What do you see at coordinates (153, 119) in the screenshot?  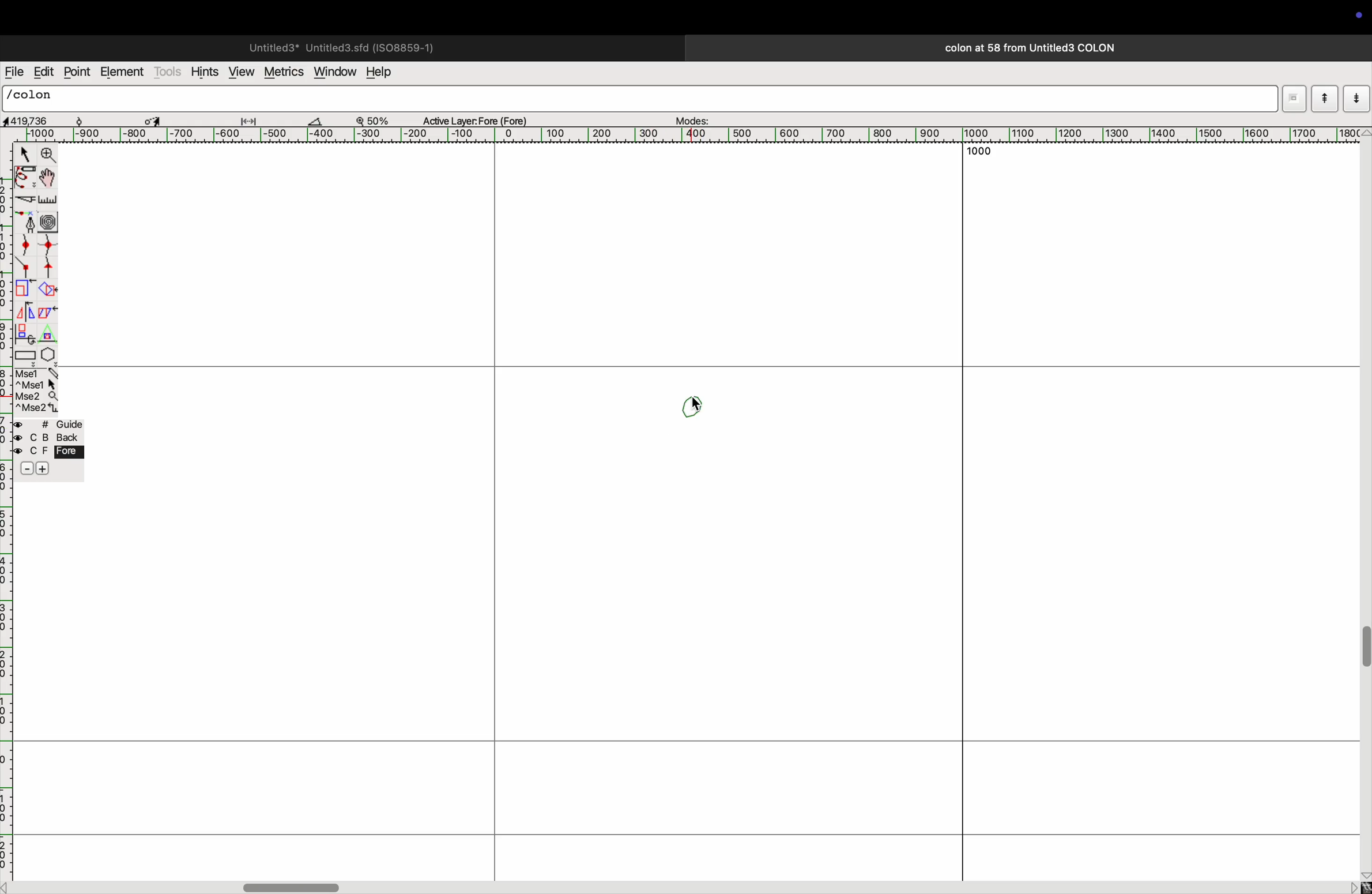 I see `toggle` at bounding box center [153, 119].